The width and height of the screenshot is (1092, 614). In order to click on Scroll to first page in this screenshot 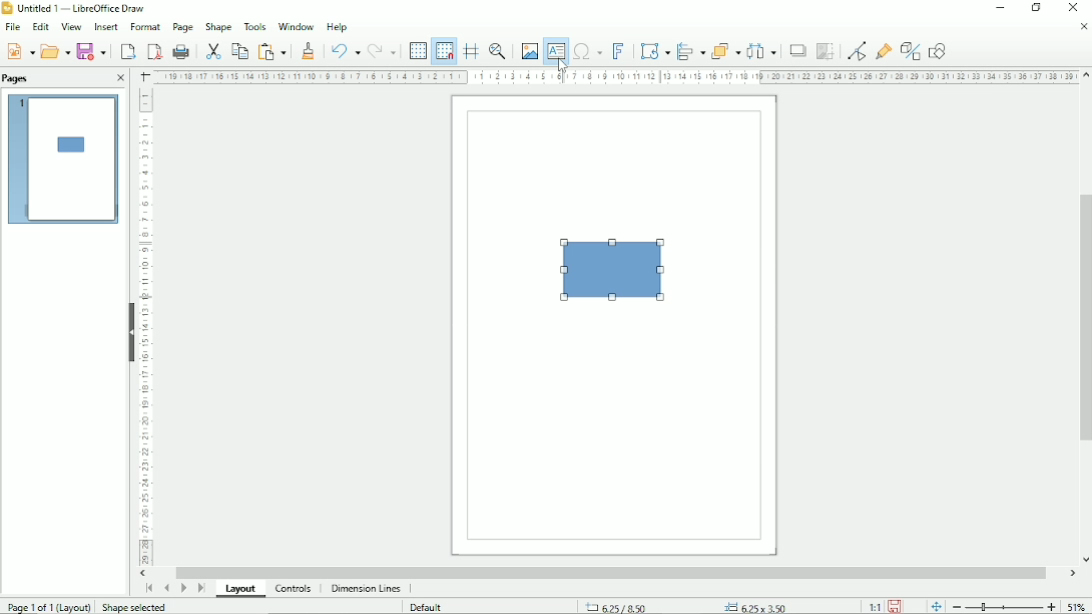, I will do `click(149, 587)`.